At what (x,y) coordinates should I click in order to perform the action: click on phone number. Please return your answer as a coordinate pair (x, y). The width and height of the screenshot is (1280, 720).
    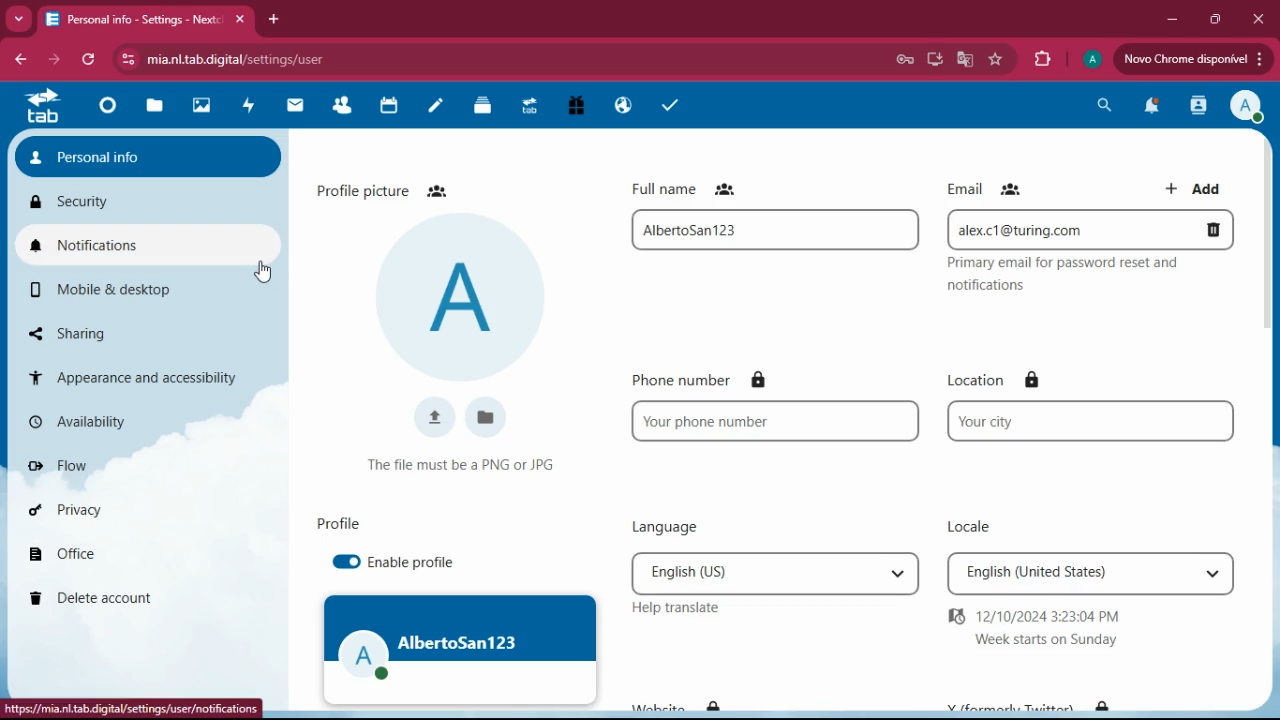
    Looking at the image, I should click on (717, 380).